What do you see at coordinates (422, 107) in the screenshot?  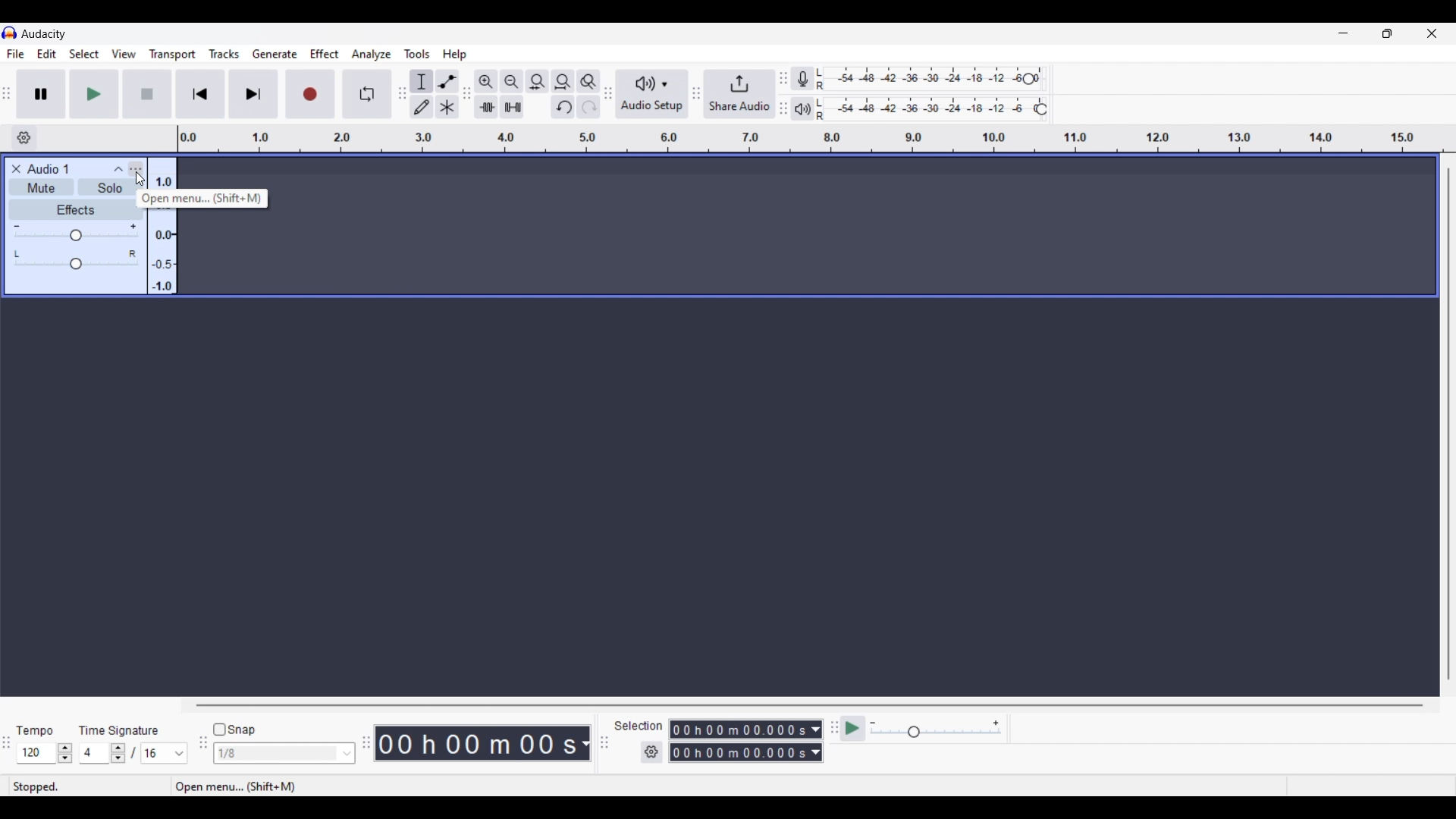 I see `Draw tool` at bounding box center [422, 107].